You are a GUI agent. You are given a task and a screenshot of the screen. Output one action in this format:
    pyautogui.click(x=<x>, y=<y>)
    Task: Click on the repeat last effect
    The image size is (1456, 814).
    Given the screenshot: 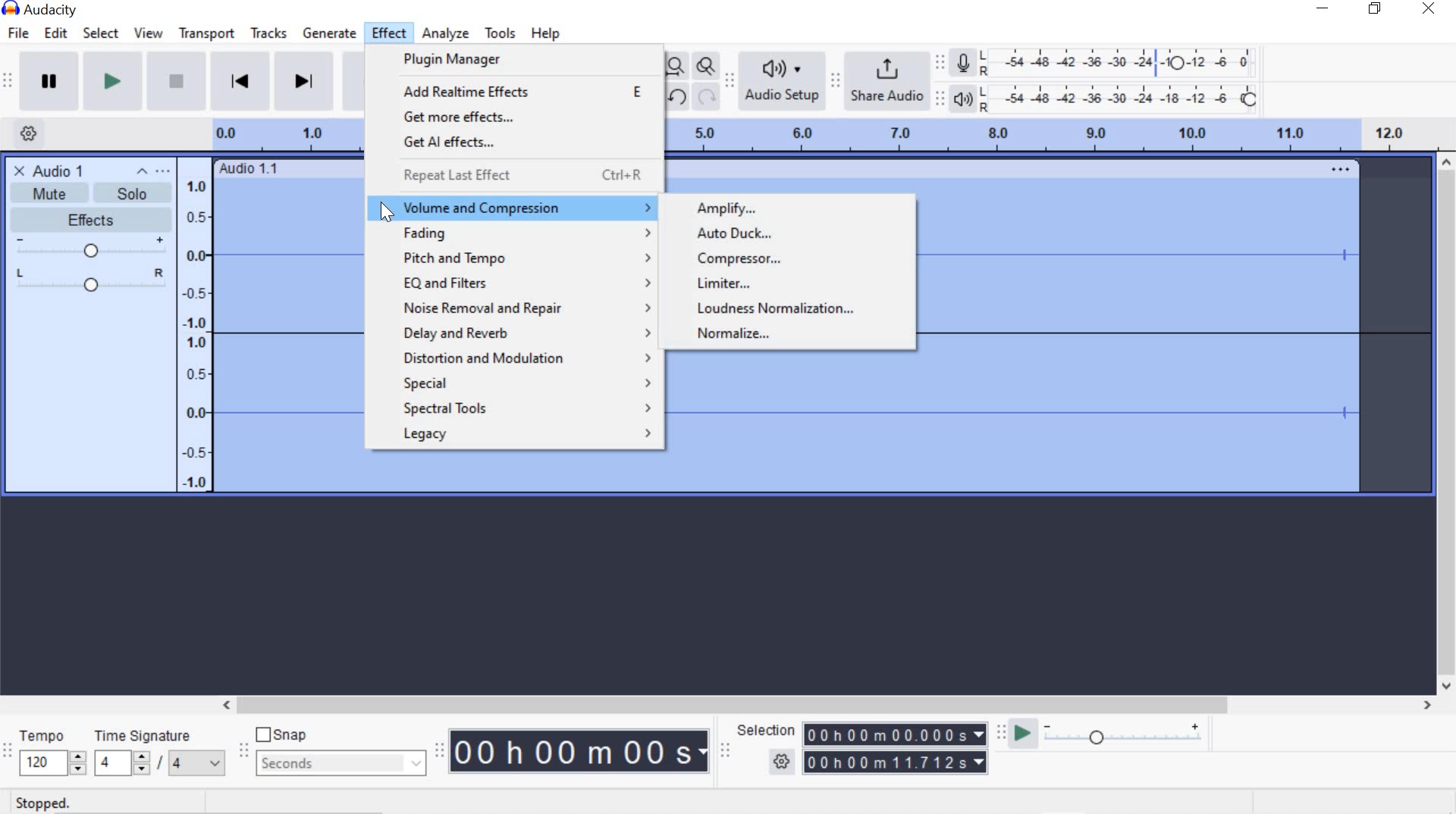 What is the action you would take?
    pyautogui.click(x=522, y=177)
    